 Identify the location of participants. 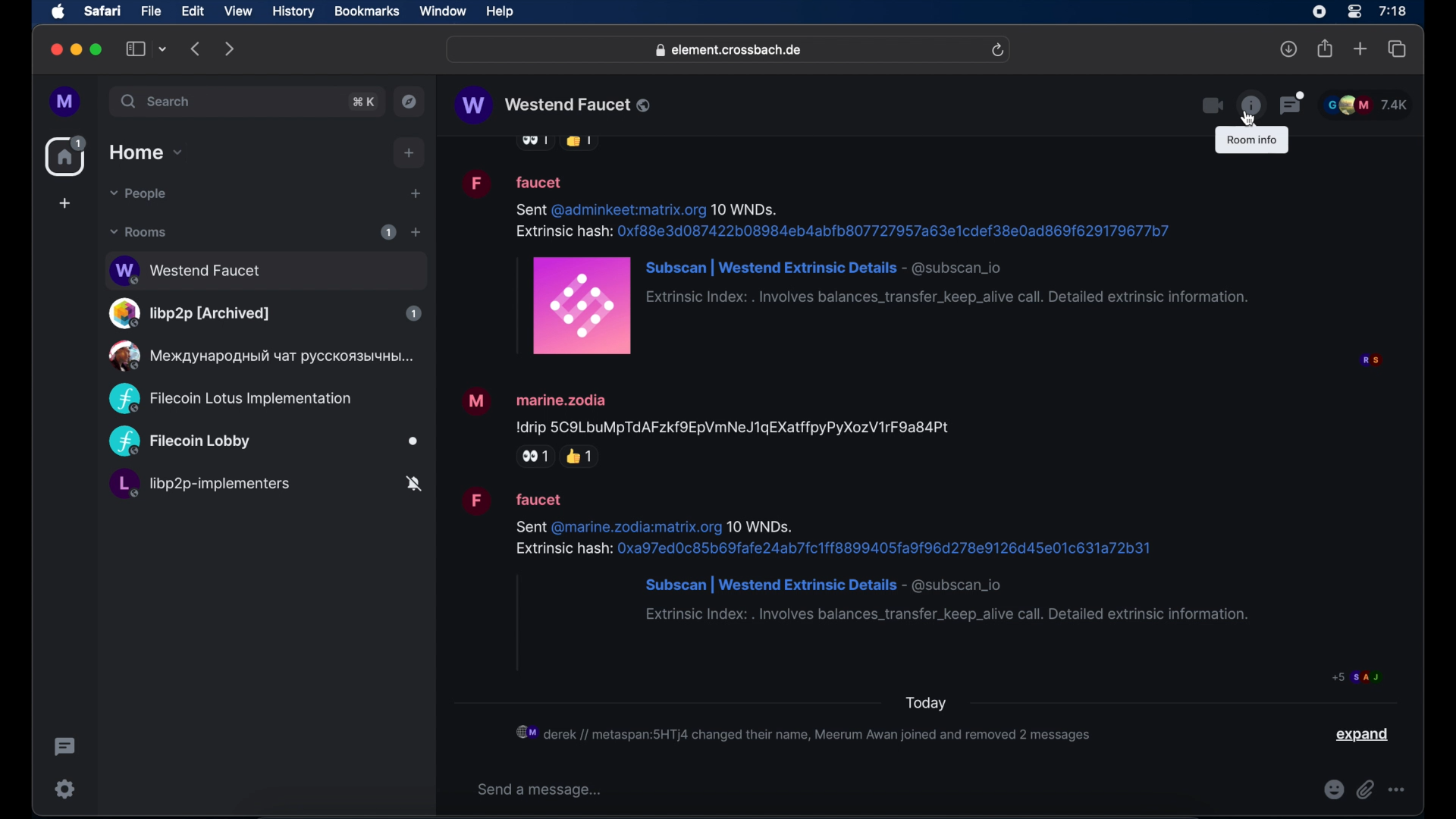
(1370, 361).